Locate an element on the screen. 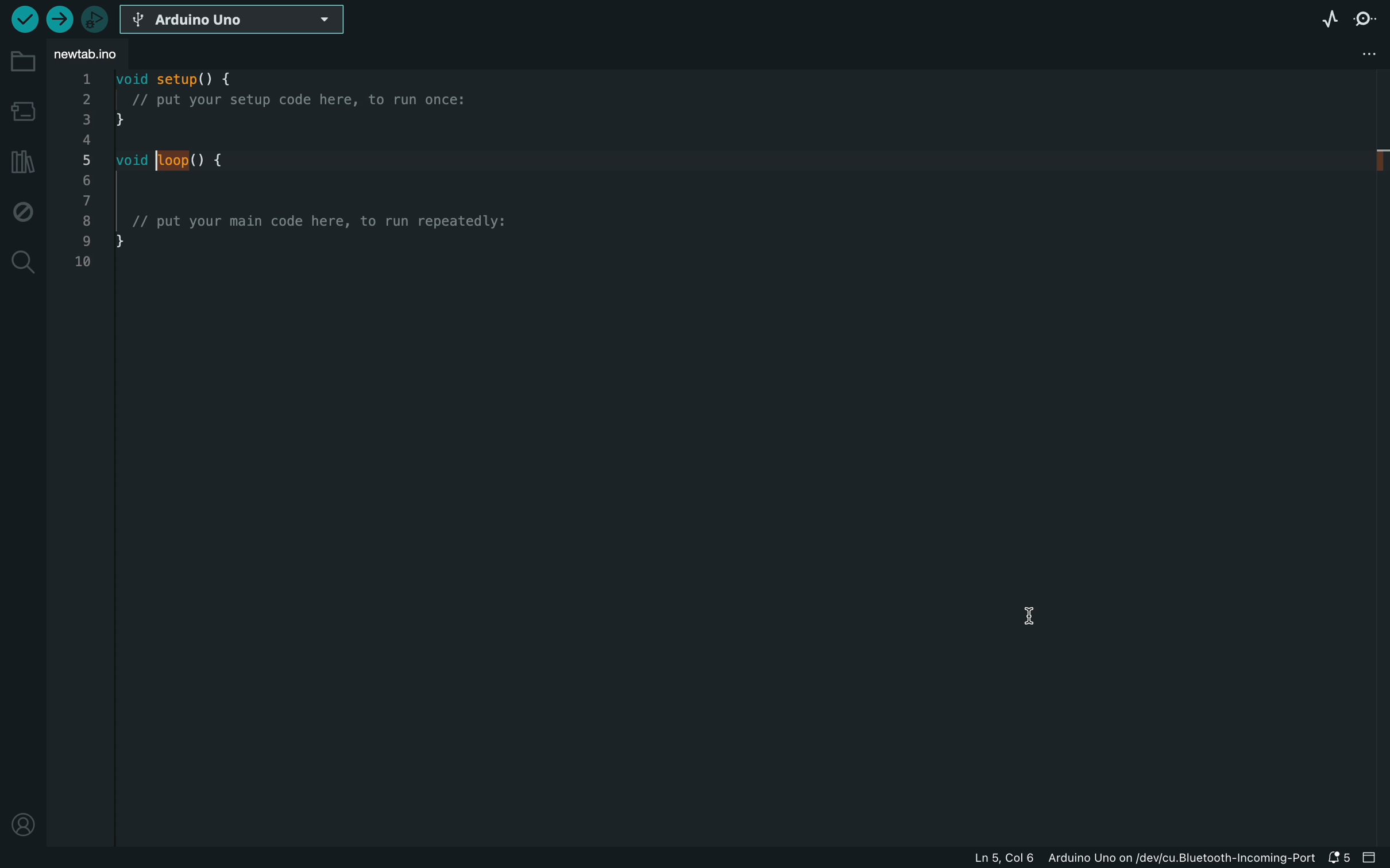 The height and width of the screenshot is (868, 1390). debug is located at coordinates (21, 210).